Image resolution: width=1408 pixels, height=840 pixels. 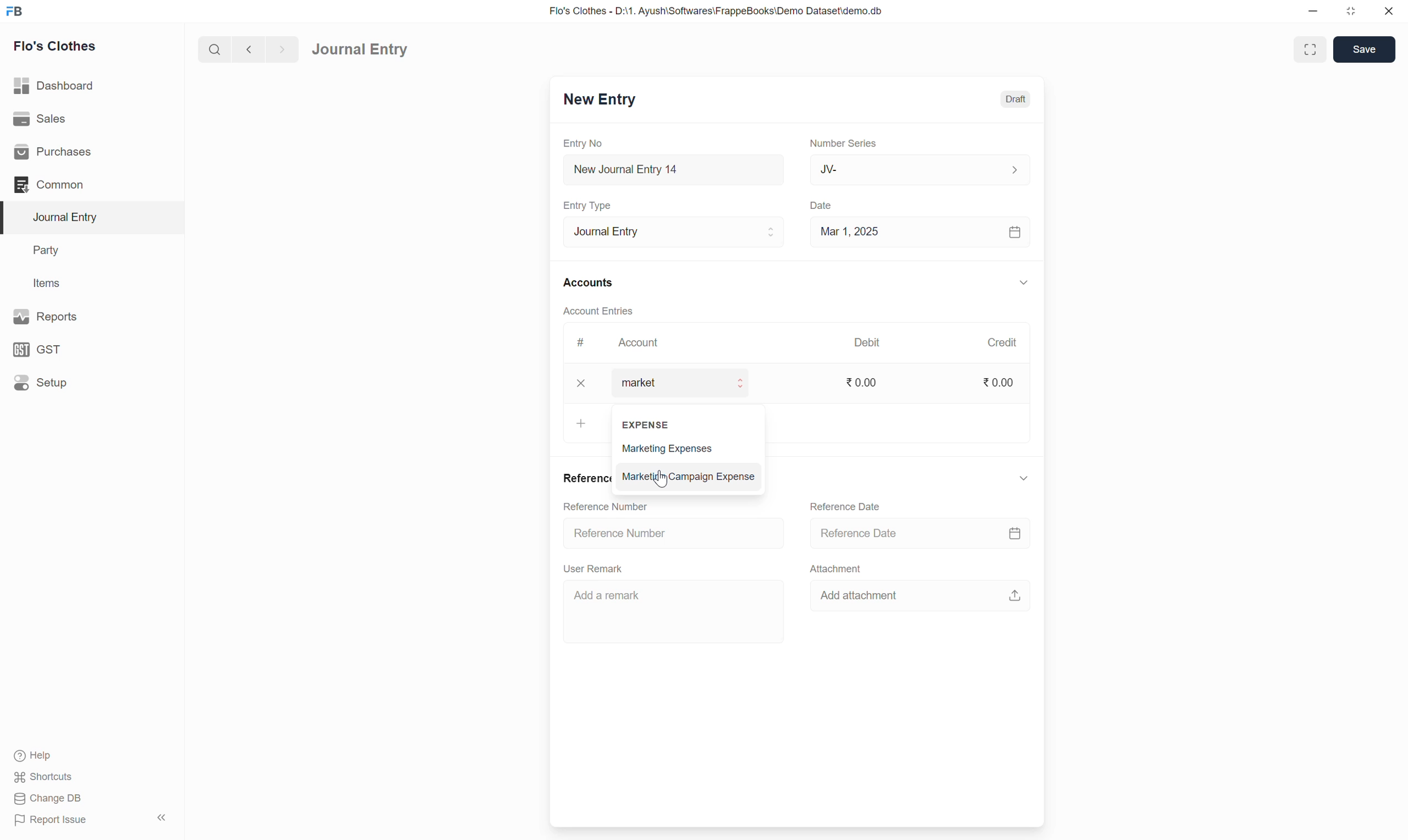 I want to click on minimize, so click(x=1313, y=12).